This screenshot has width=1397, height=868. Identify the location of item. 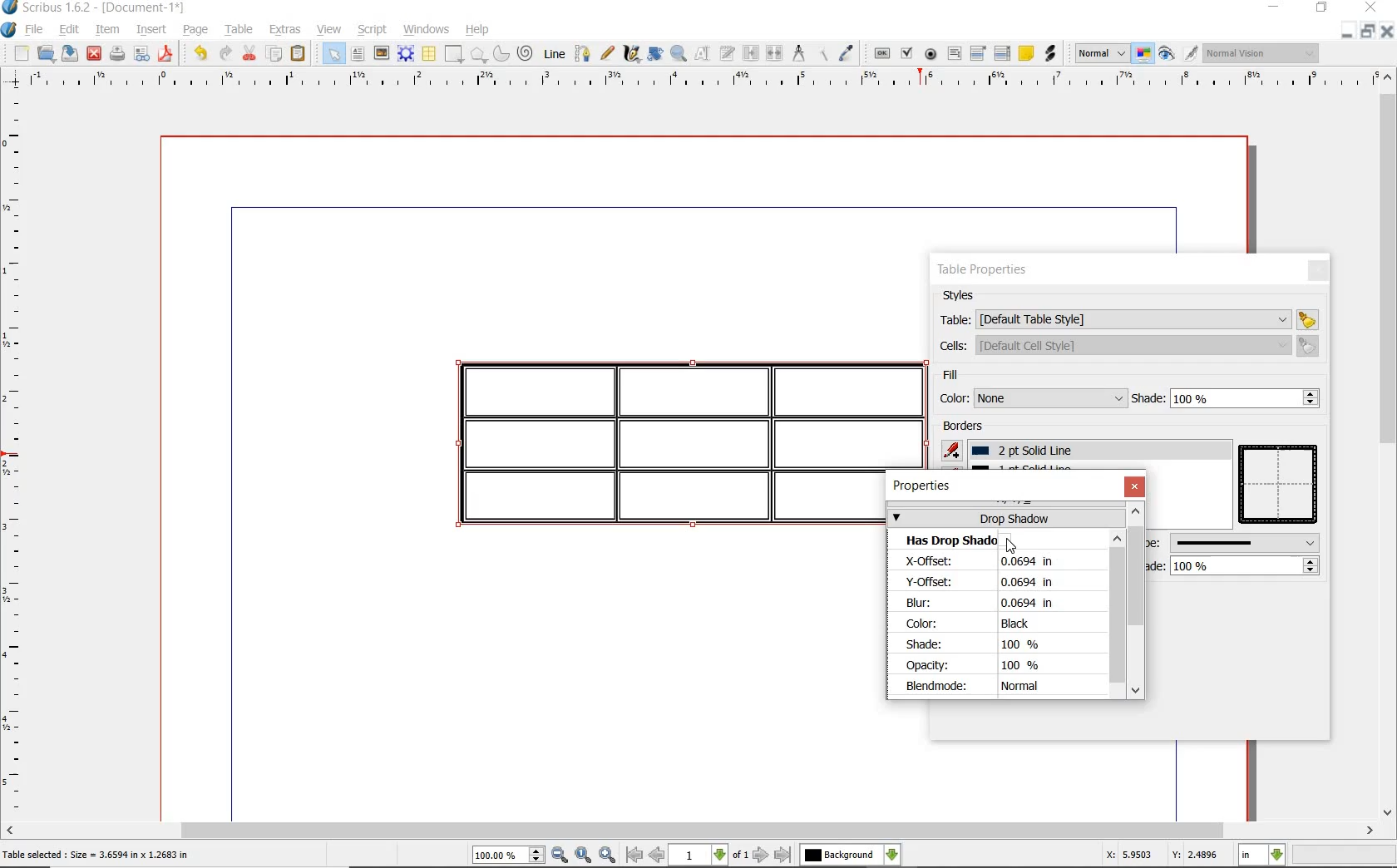
(106, 31).